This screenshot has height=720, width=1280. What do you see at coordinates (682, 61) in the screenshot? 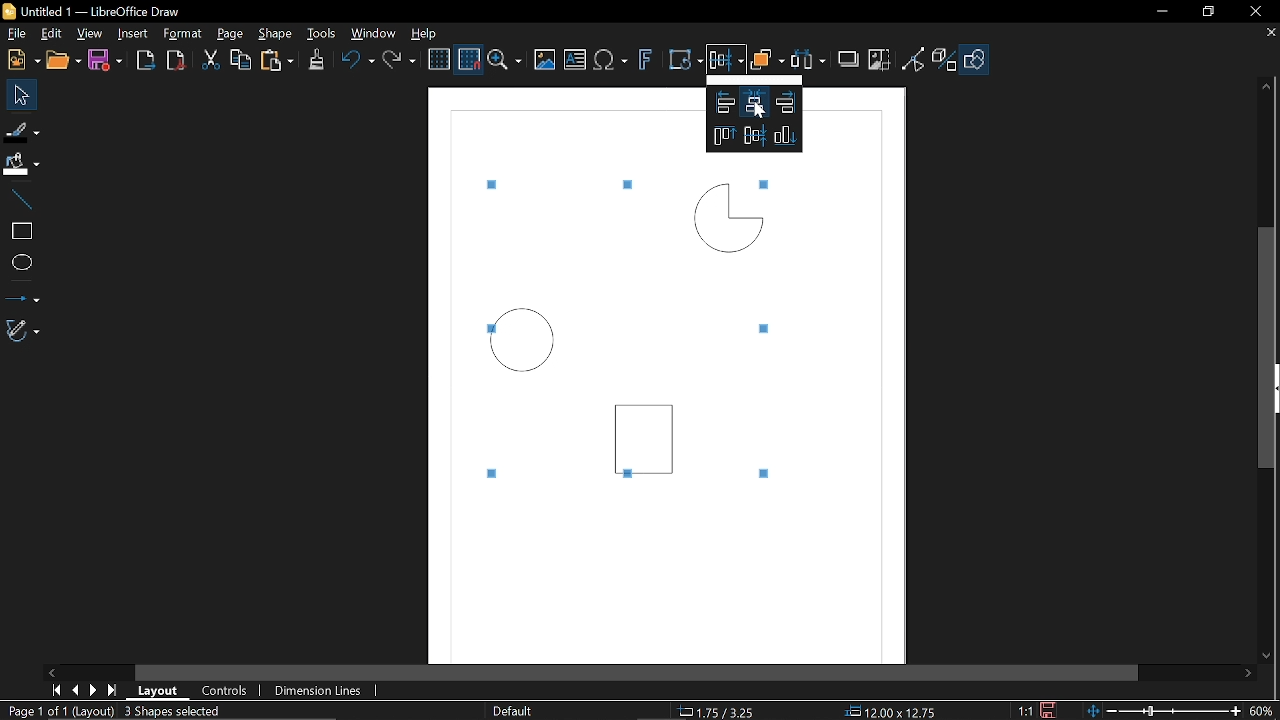
I see `Transform` at bounding box center [682, 61].